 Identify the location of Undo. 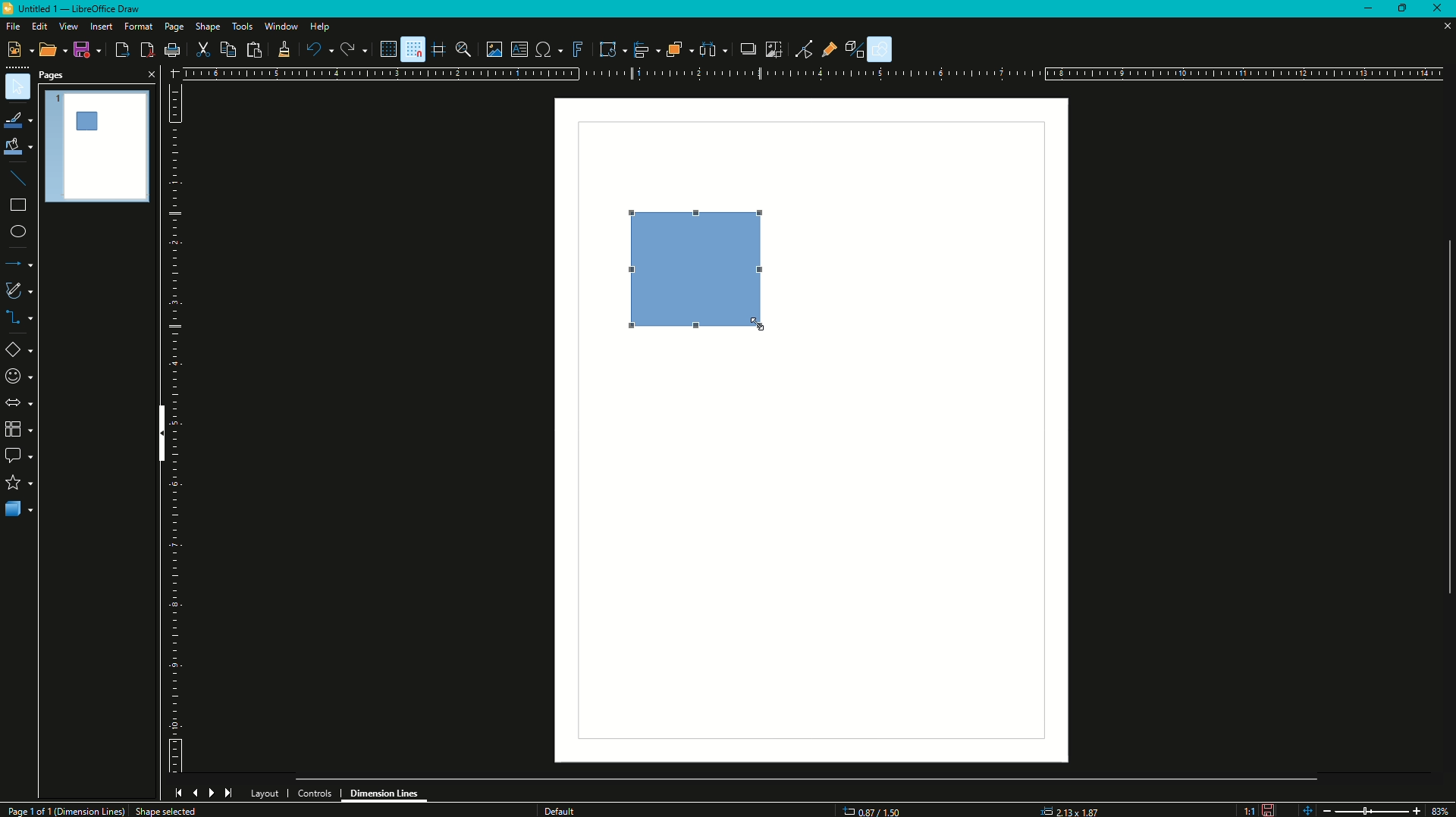
(318, 50).